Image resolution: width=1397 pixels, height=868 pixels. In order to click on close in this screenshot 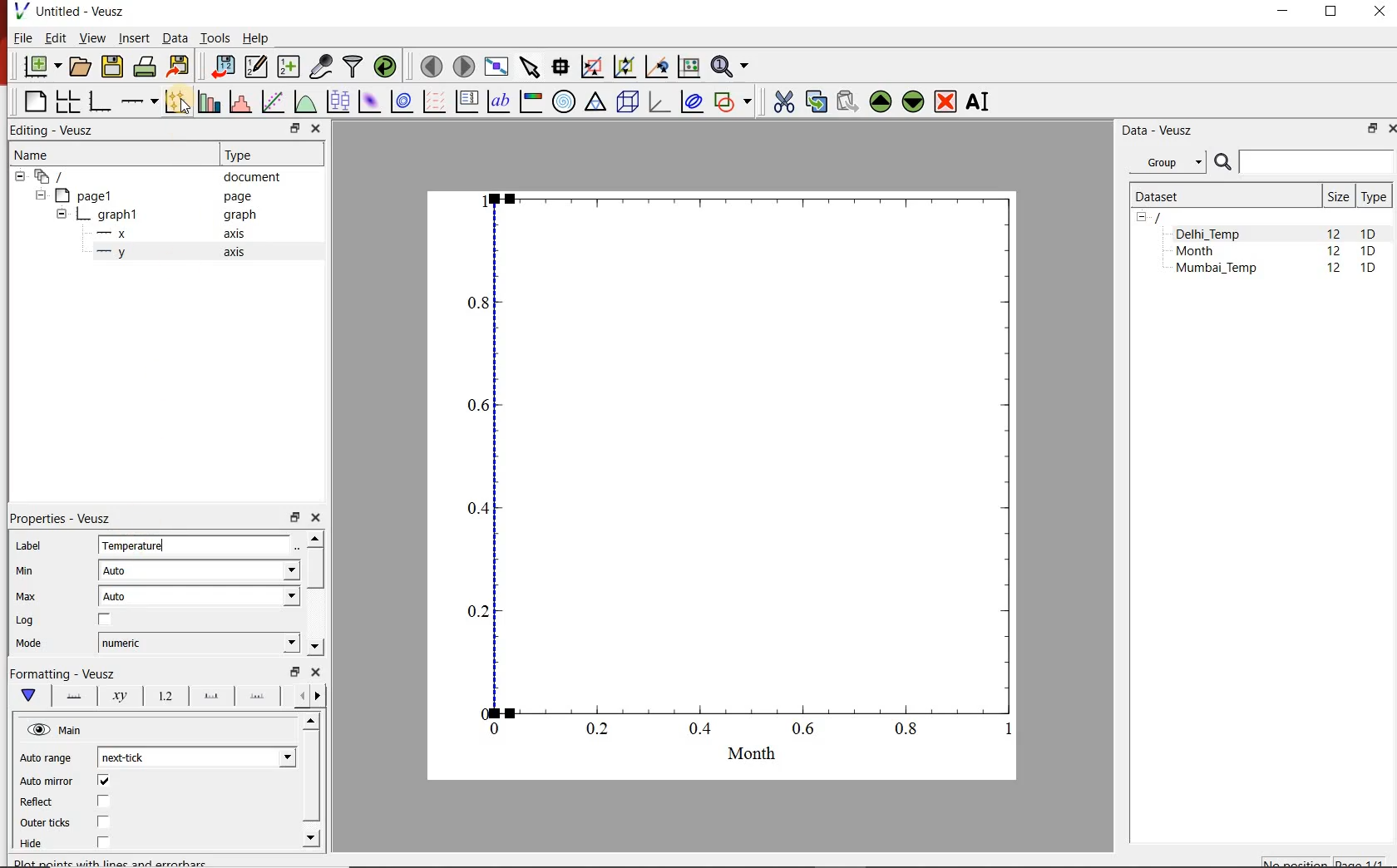, I will do `click(314, 518)`.